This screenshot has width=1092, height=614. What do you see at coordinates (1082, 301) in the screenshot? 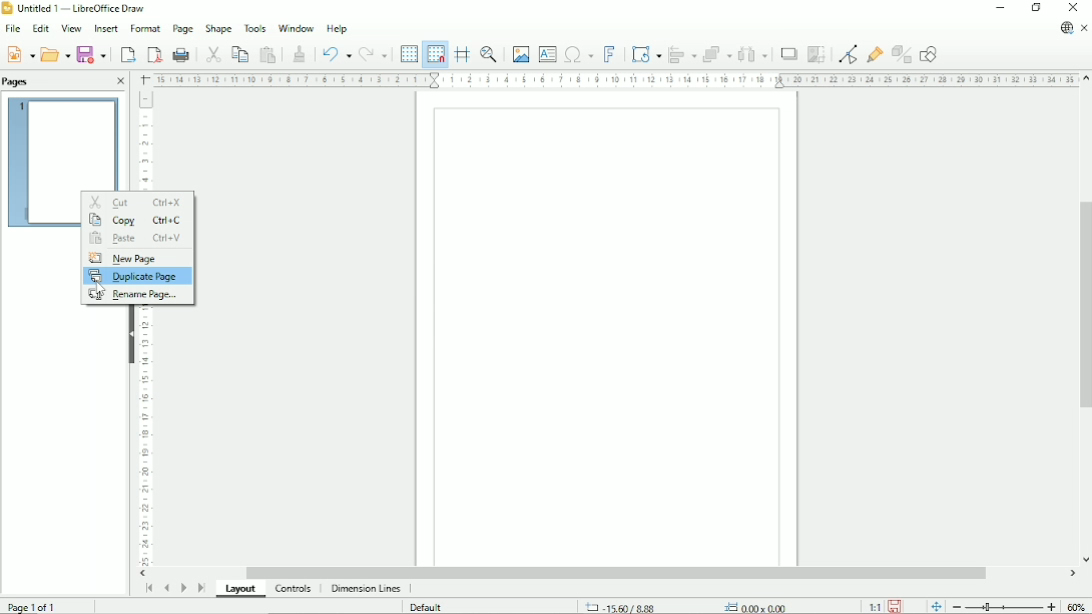
I see `Vertical scrollbar` at bounding box center [1082, 301].